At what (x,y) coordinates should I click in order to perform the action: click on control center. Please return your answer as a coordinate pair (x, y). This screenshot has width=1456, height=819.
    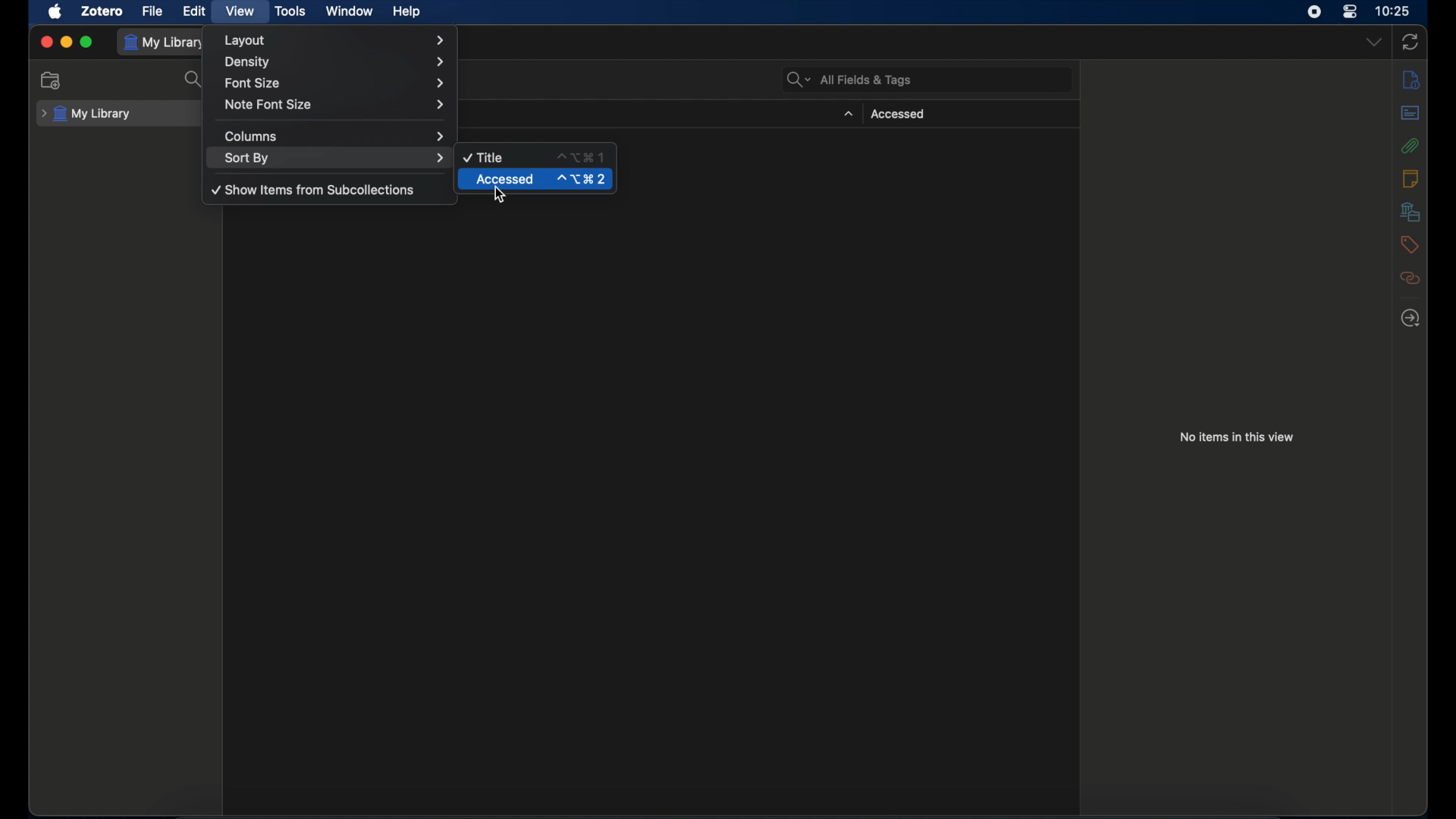
    Looking at the image, I should click on (1348, 11).